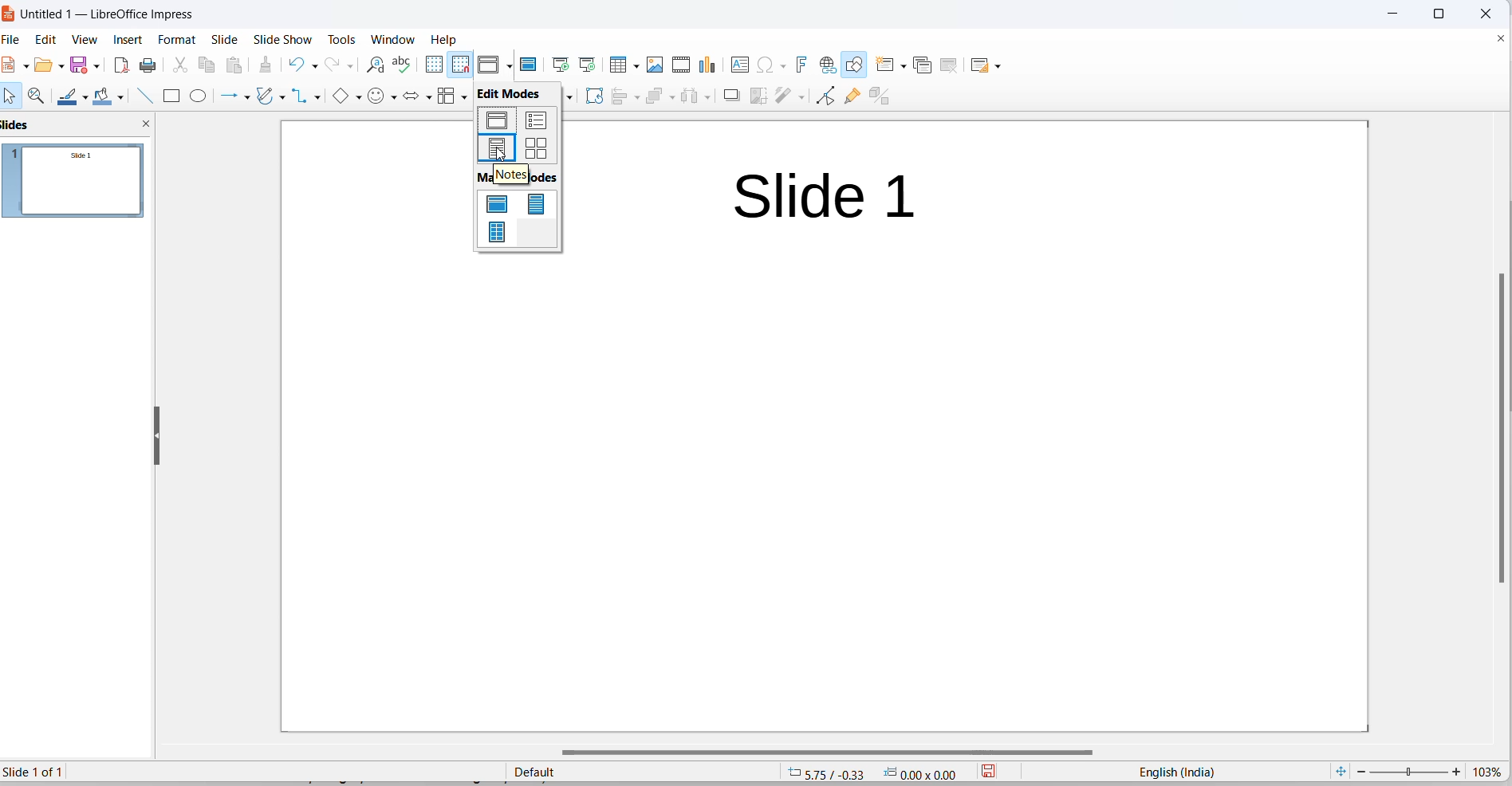 This screenshot has height=786, width=1512. I want to click on master slide, so click(496, 203).